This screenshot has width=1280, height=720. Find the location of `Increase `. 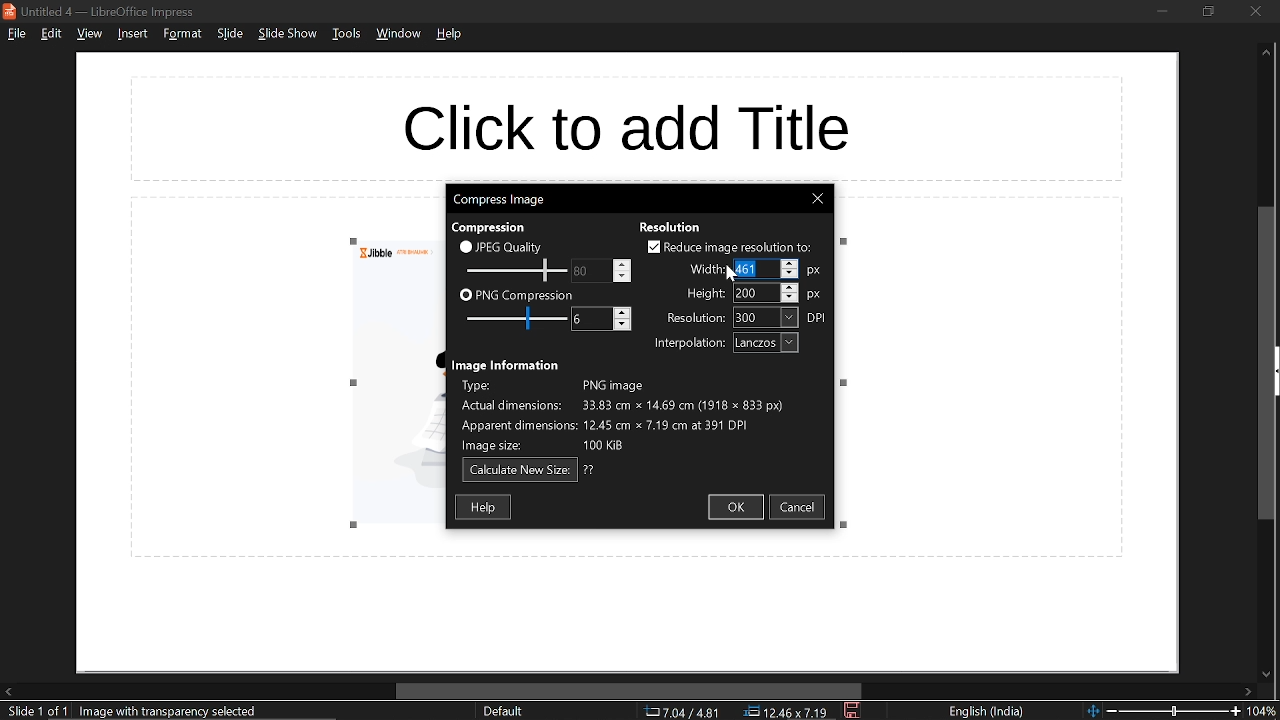

Increase  is located at coordinates (791, 286).